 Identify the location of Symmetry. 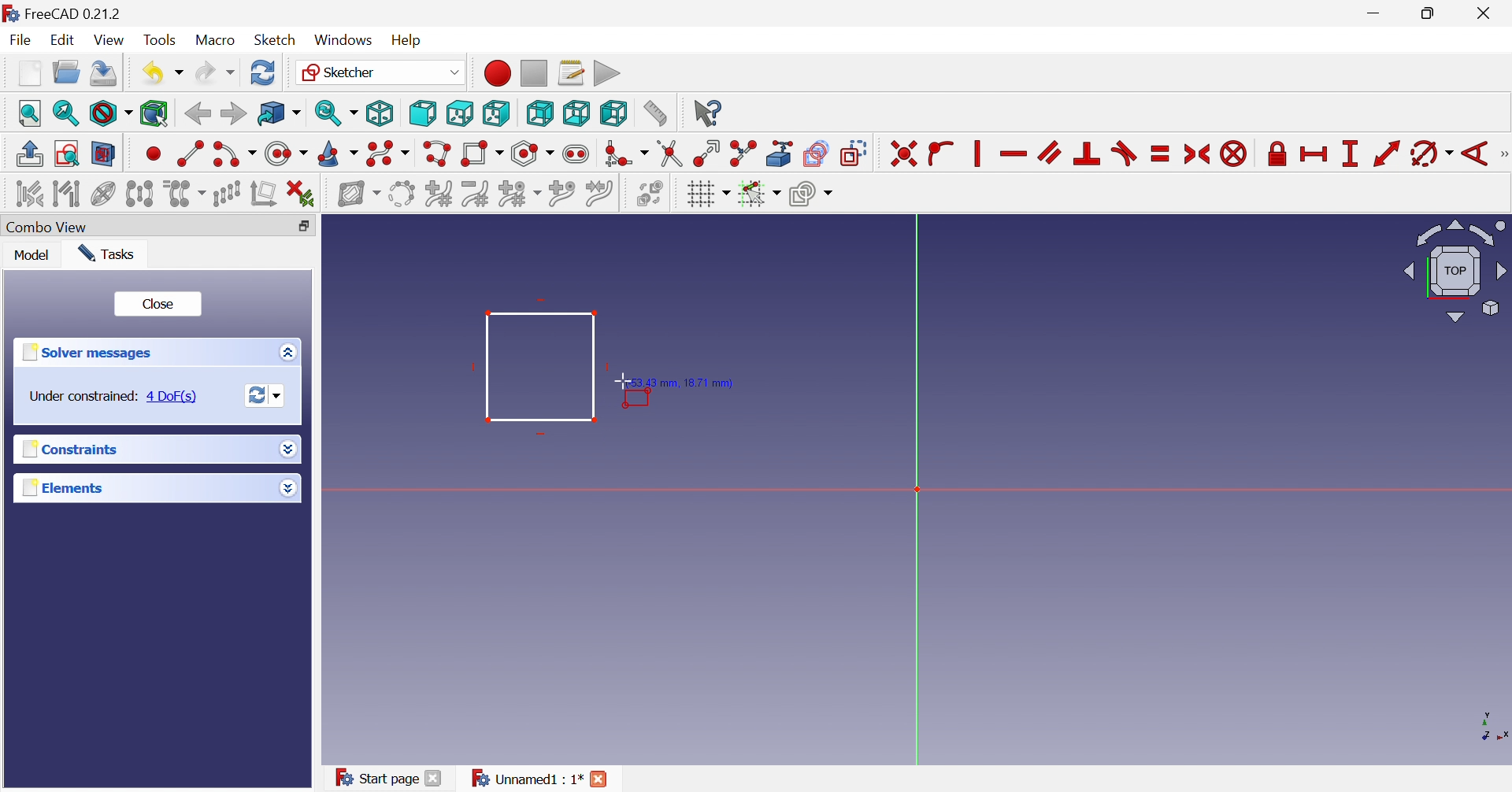
(139, 194).